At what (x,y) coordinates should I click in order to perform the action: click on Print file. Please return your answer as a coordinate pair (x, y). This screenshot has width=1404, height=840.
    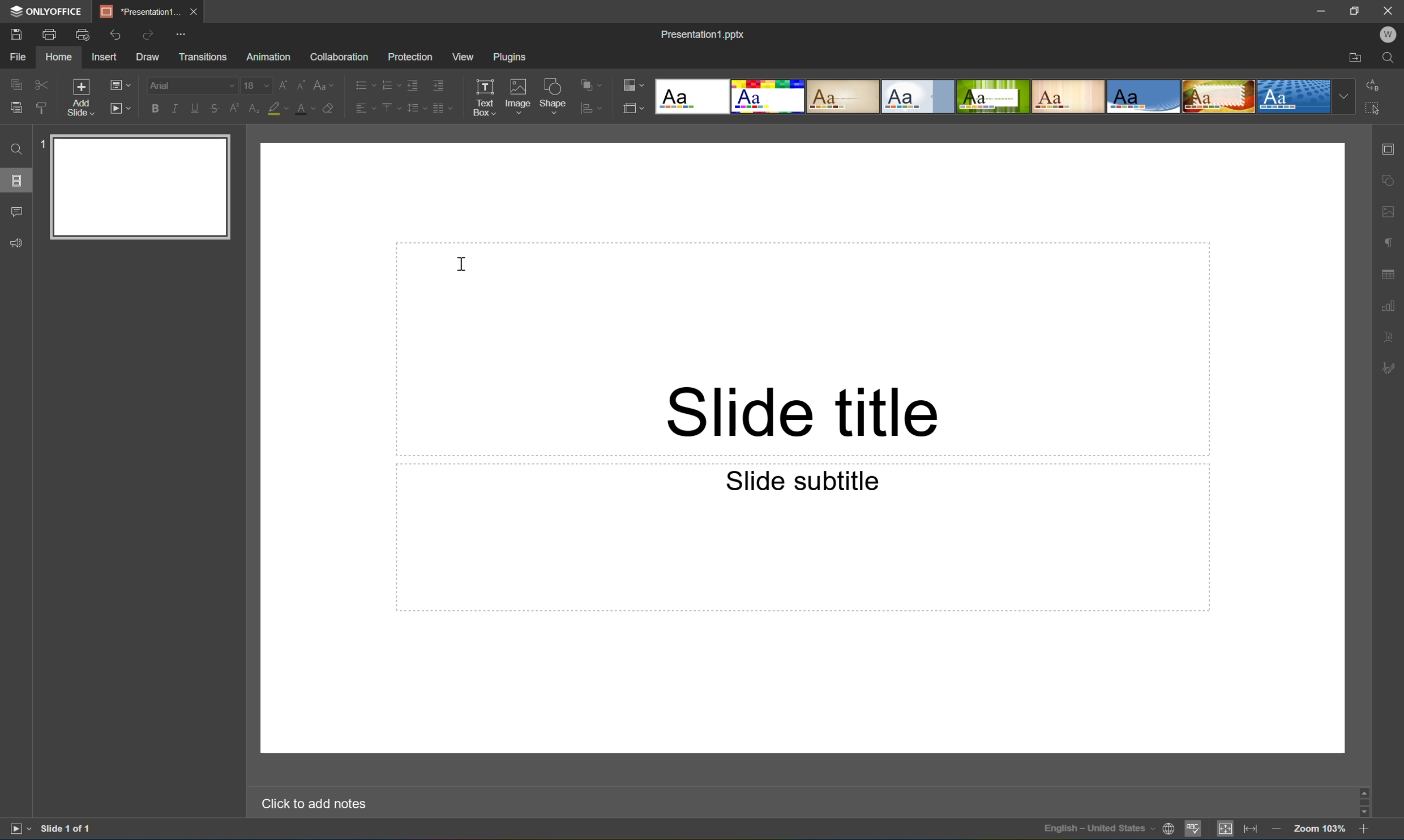
    Looking at the image, I should click on (51, 36).